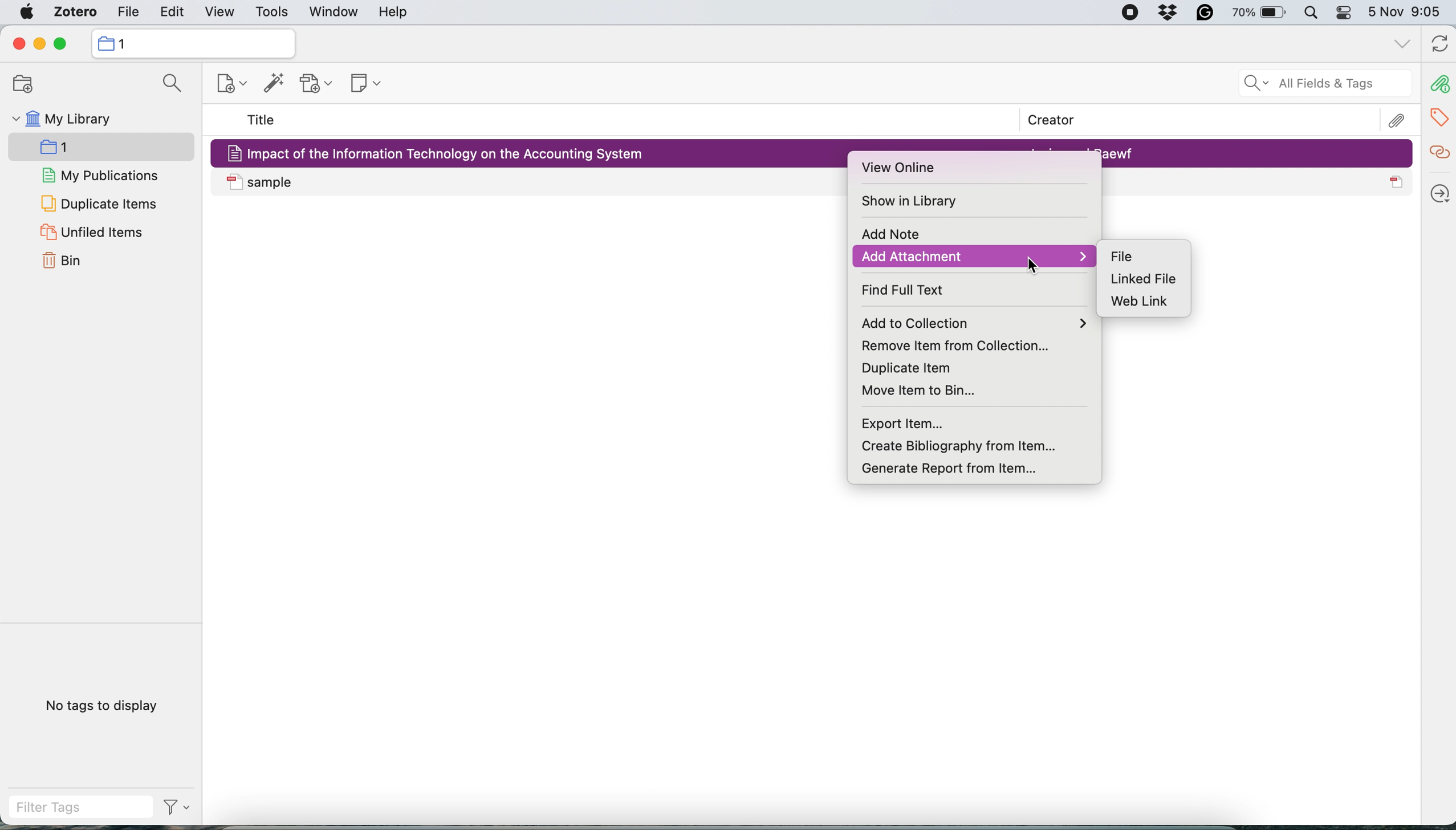 This screenshot has width=1456, height=830. What do you see at coordinates (1441, 115) in the screenshot?
I see `tags` at bounding box center [1441, 115].